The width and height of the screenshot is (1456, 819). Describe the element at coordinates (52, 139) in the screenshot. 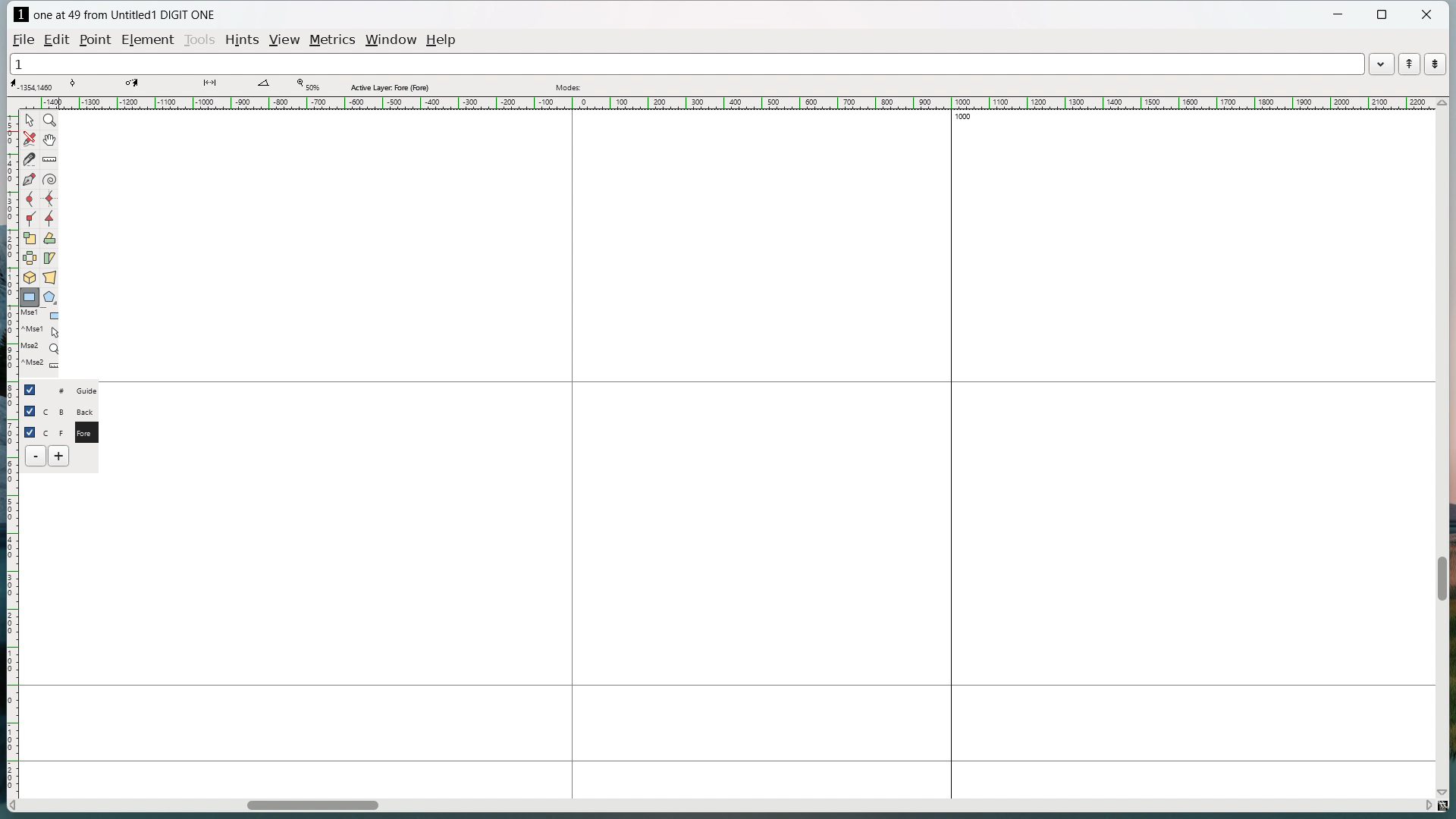

I see `scroll by hand` at that location.